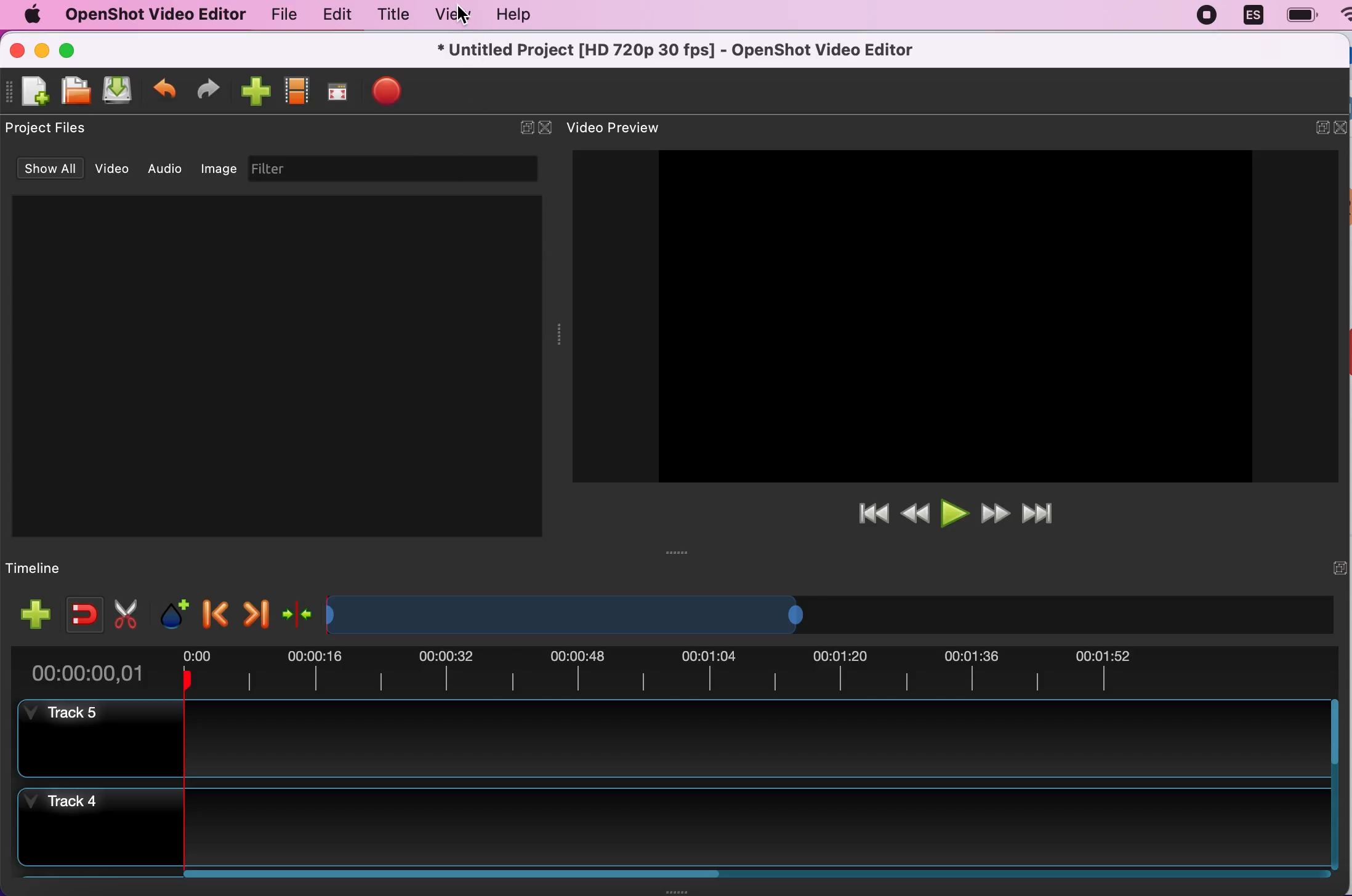 The width and height of the screenshot is (1352, 896). Describe the element at coordinates (1322, 126) in the screenshot. I see `expand/hide` at that location.